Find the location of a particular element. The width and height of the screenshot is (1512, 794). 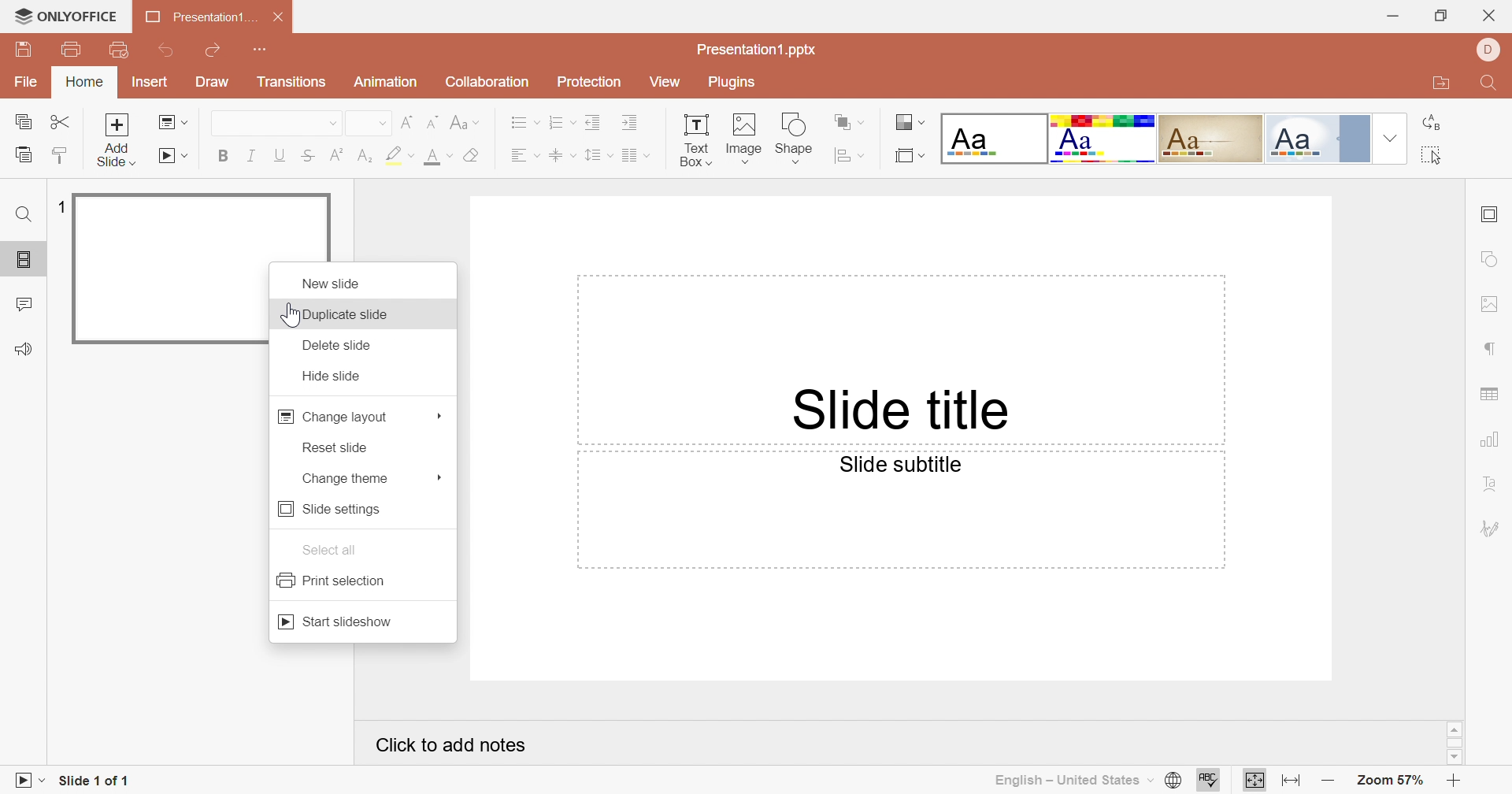

Slide settings is located at coordinates (1492, 213).